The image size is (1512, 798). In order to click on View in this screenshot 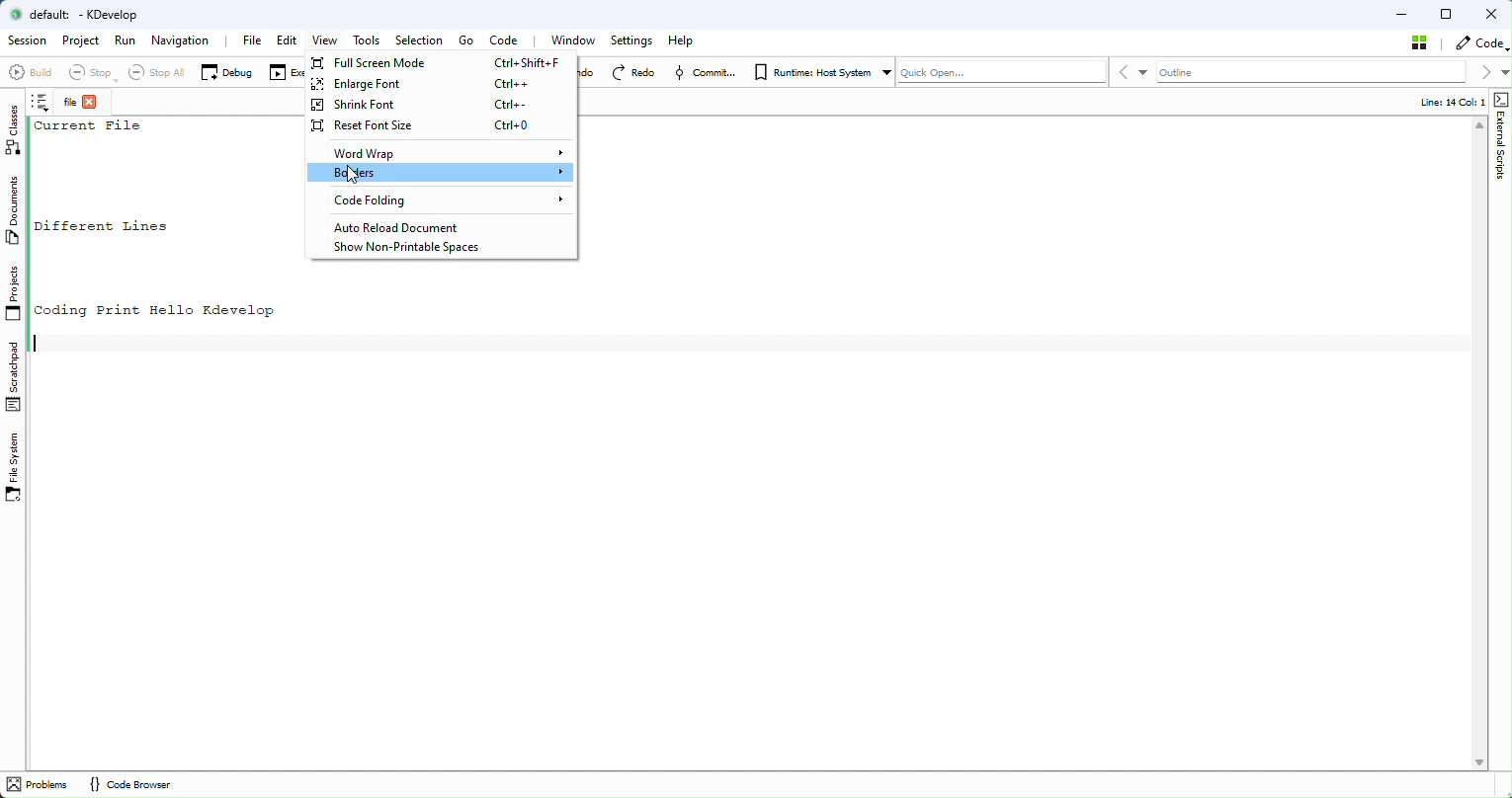, I will do `click(323, 41)`.